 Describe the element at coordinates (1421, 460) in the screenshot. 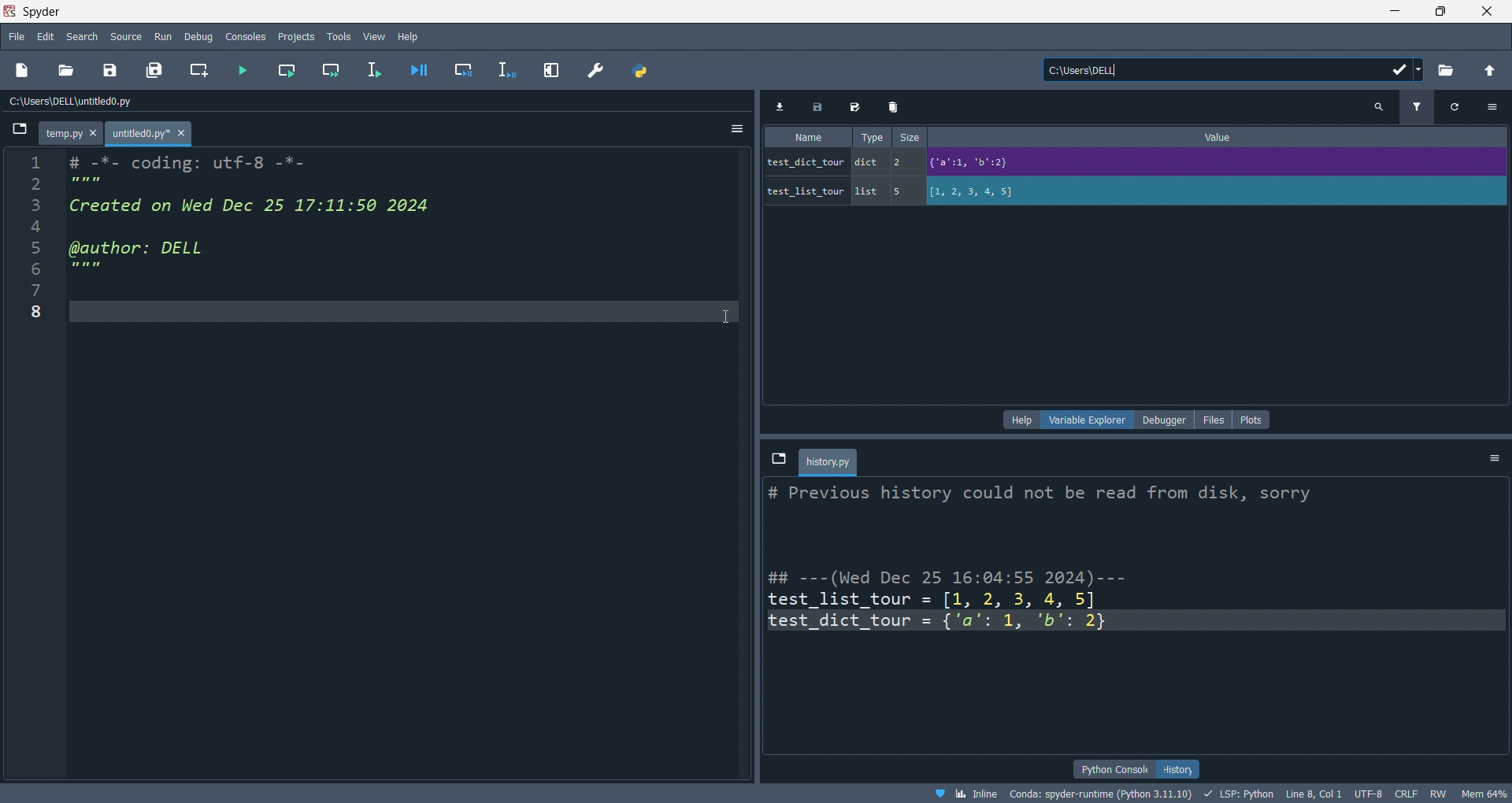

I see `delete ` at that location.